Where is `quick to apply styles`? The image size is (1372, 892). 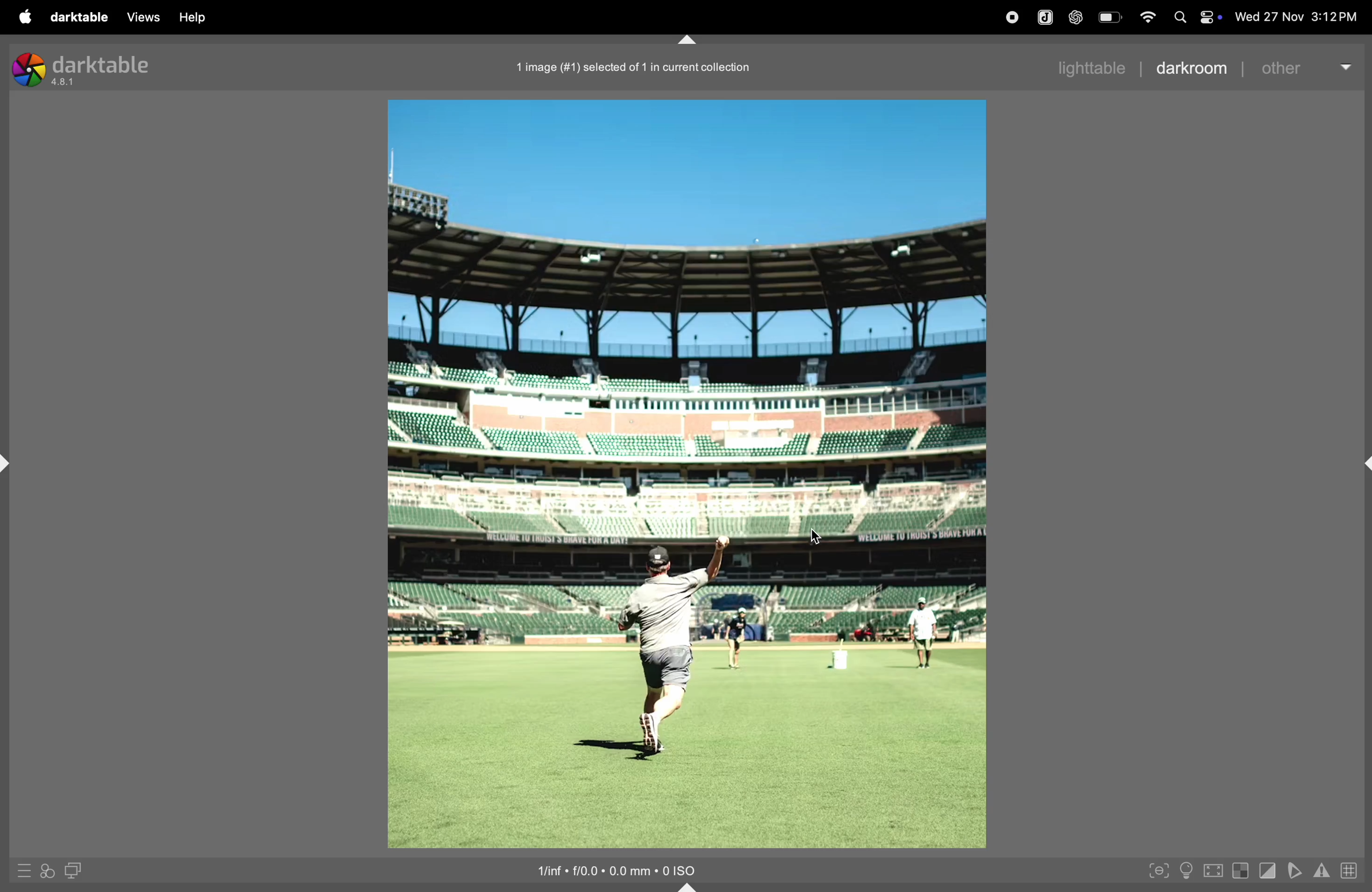 quick to apply styles is located at coordinates (47, 872).